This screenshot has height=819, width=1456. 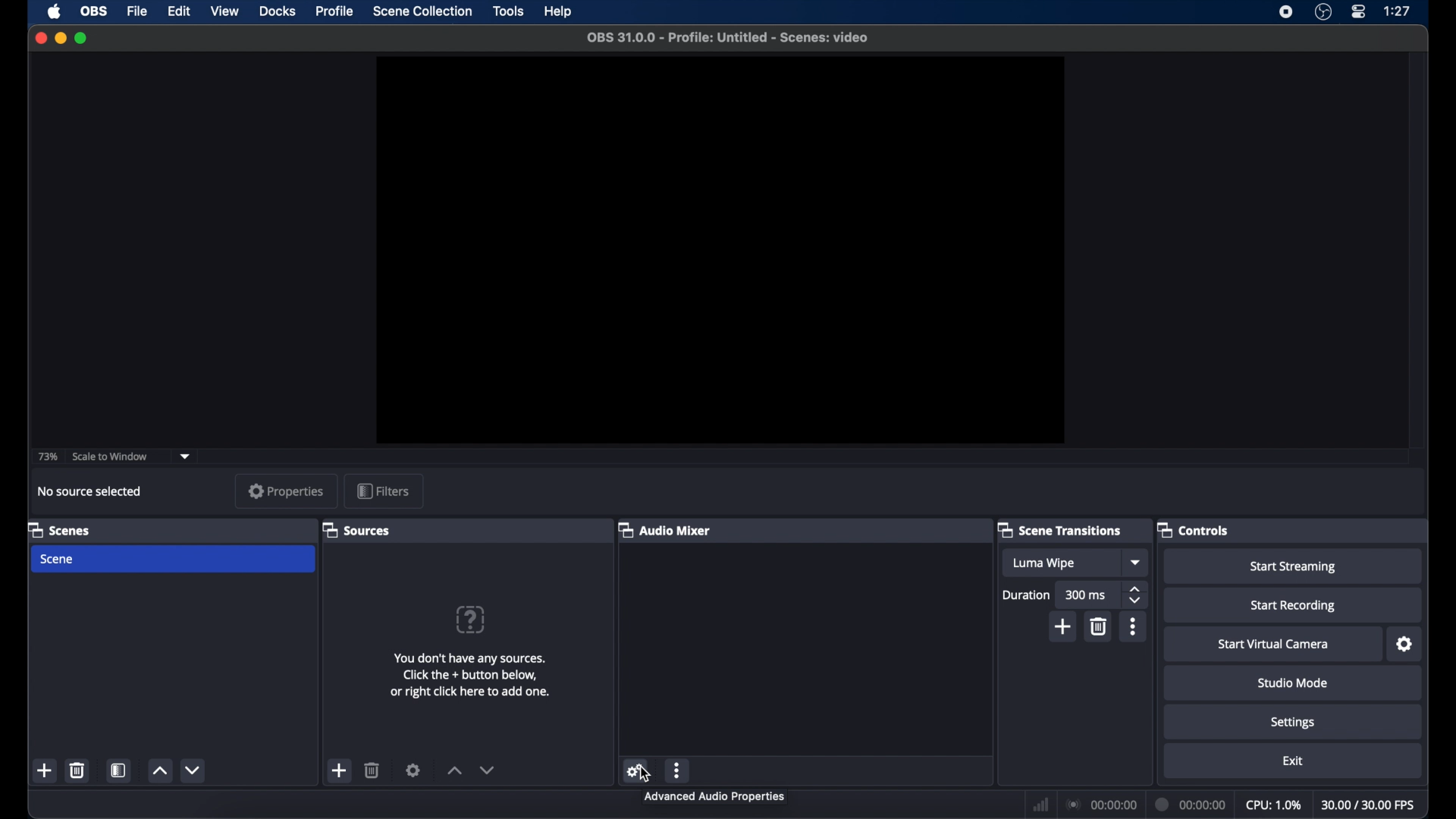 I want to click on start streaming, so click(x=1294, y=567).